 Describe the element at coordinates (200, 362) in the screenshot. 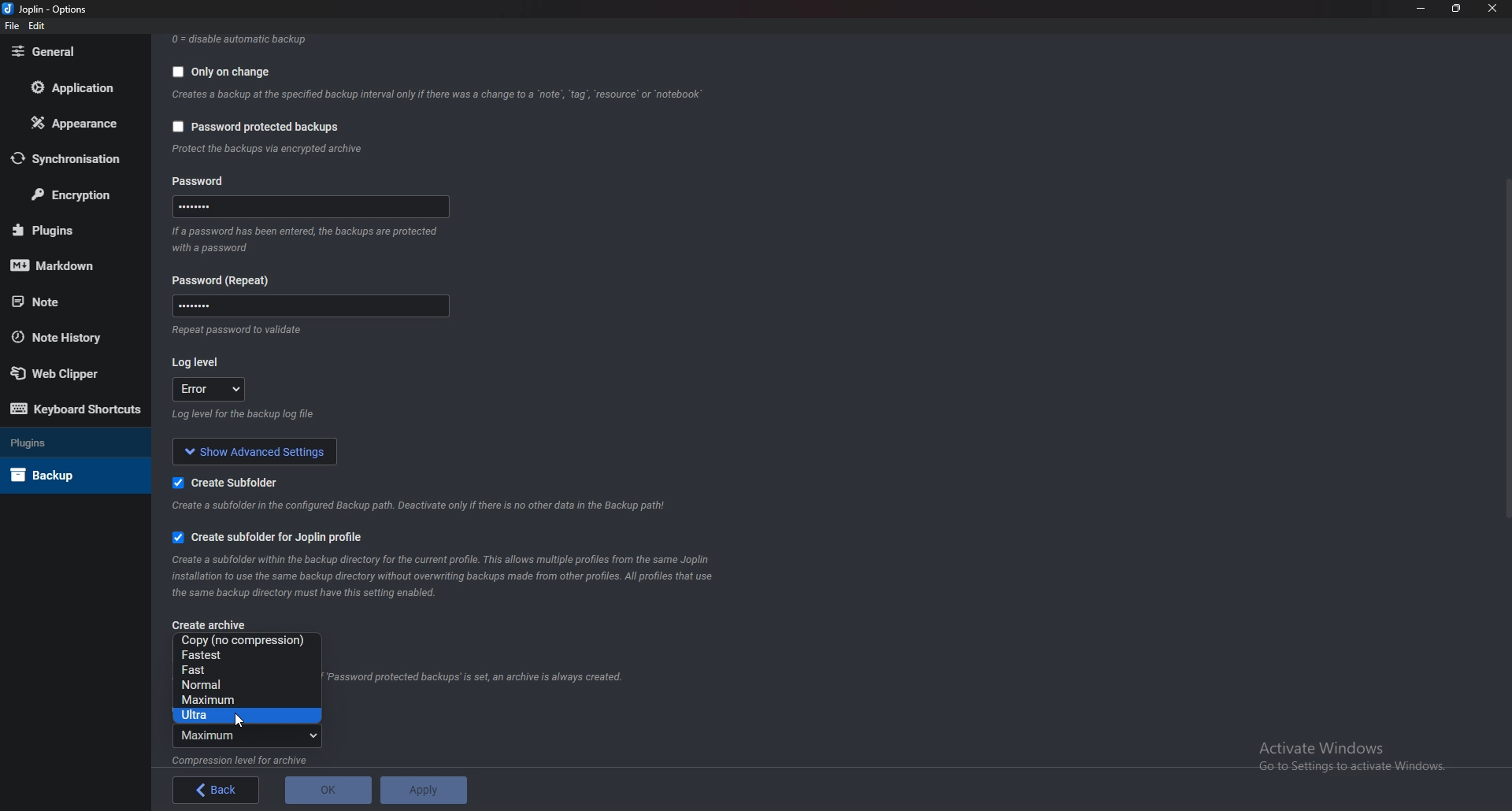

I see `Log level` at that location.